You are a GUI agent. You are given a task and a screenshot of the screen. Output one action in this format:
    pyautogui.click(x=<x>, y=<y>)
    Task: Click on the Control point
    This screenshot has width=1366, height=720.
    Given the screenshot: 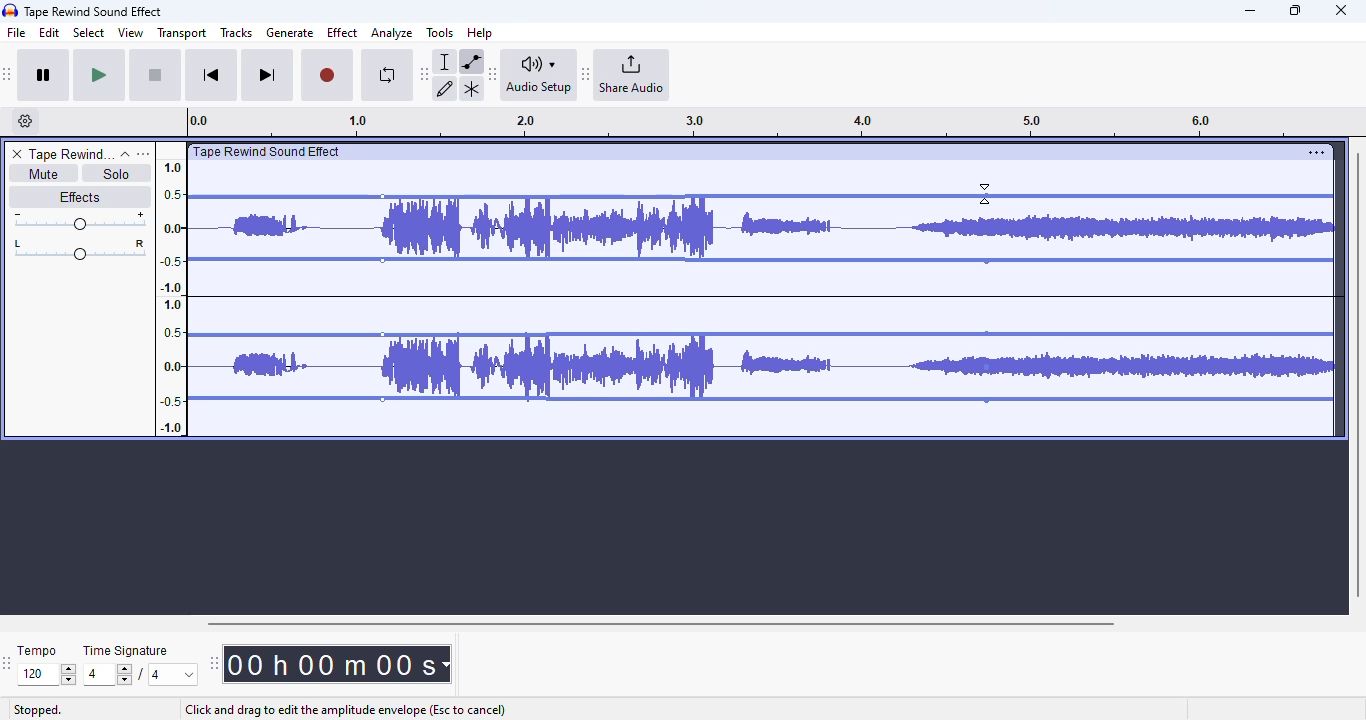 What is the action you would take?
    pyautogui.click(x=382, y=335)
    